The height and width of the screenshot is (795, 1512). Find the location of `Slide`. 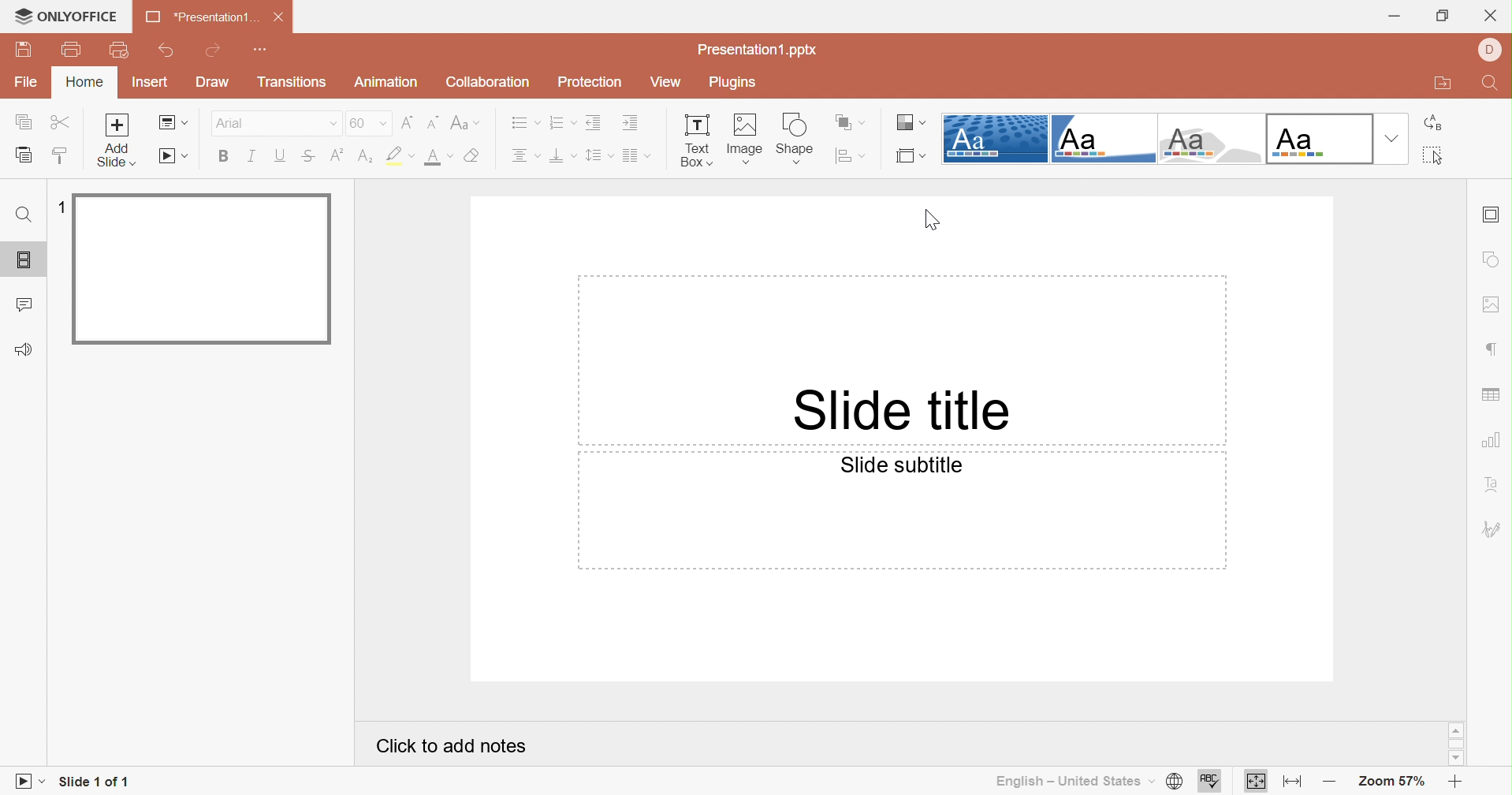

Slide is located at coordinates (203, 271).